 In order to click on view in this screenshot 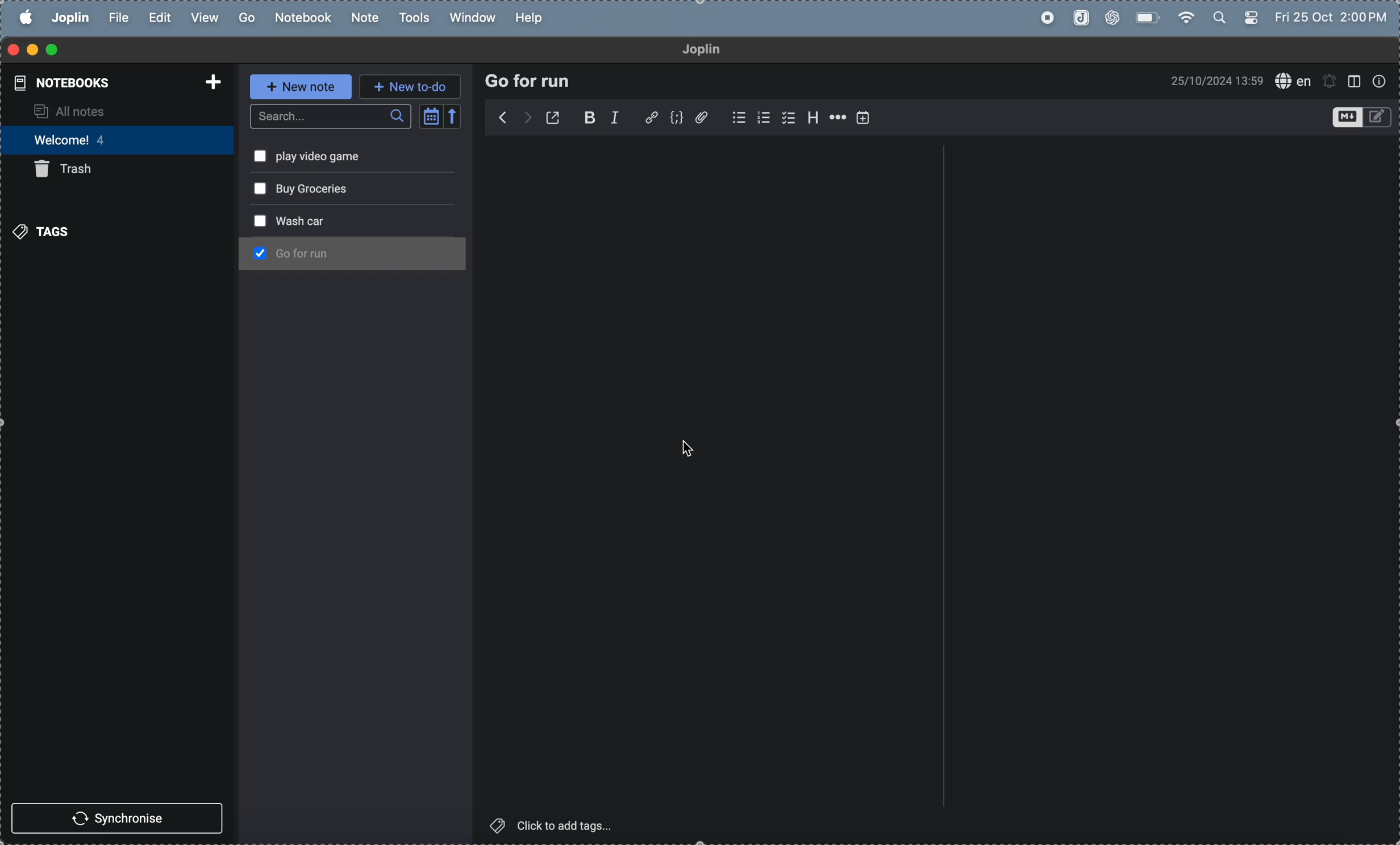, I will do `click(201, 17)`.